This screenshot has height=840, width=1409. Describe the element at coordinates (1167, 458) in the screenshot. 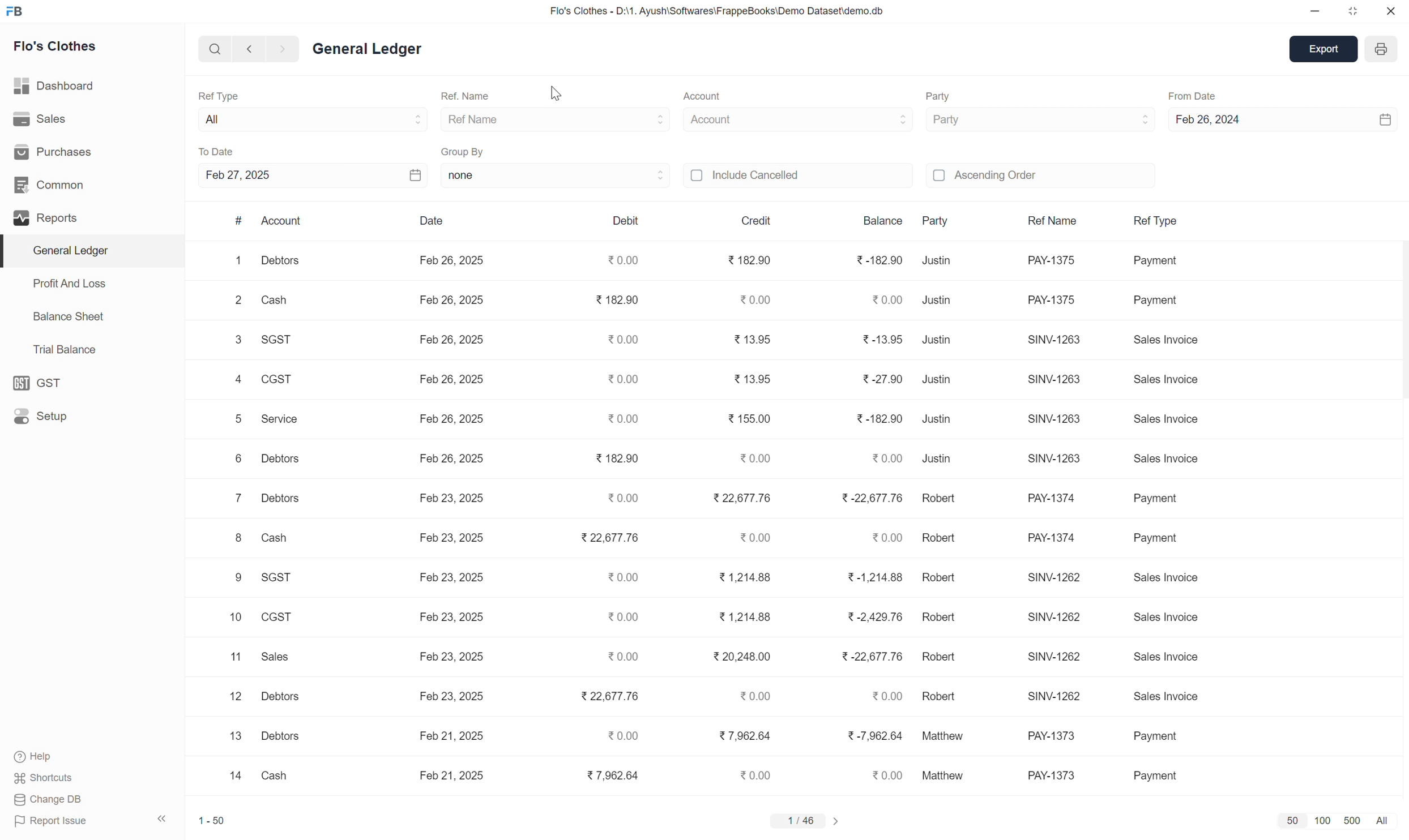

I see `sales invoice` at that location.